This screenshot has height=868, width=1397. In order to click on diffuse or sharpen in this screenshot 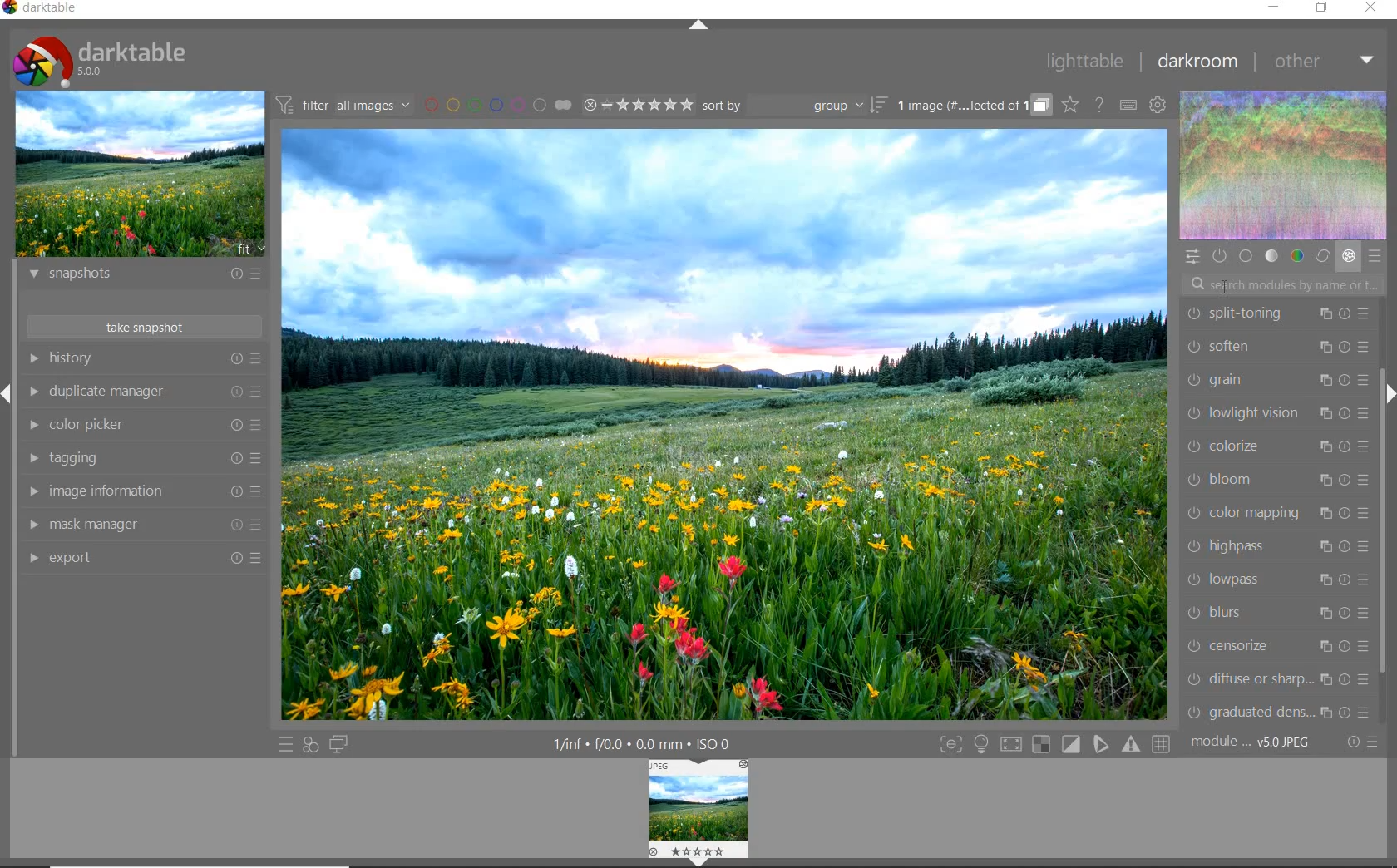, I will do `click(1273, 682)`.